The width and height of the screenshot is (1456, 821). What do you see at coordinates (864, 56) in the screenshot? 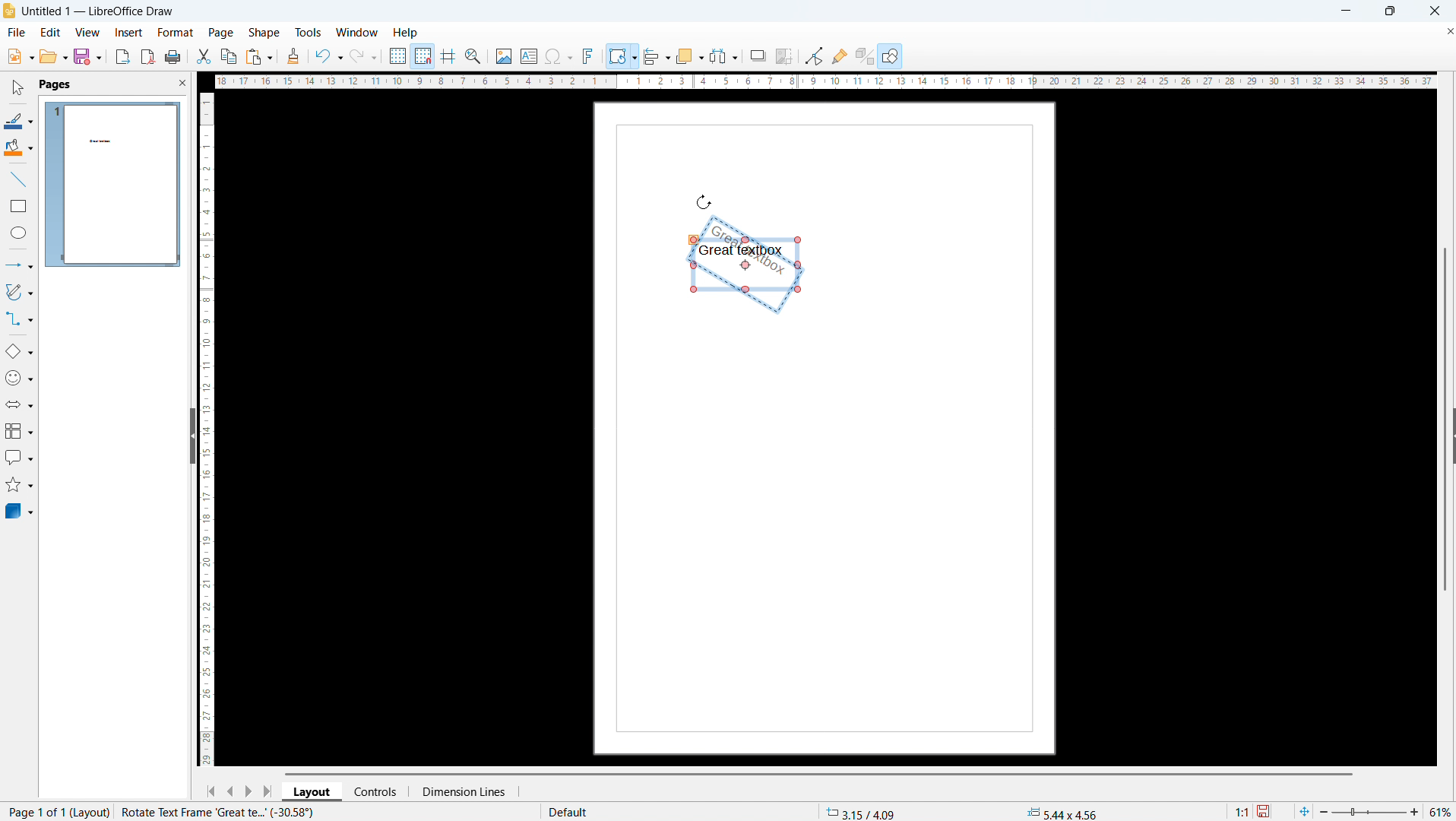
I see `toggle extrusion` at bounding box center [864, 56].